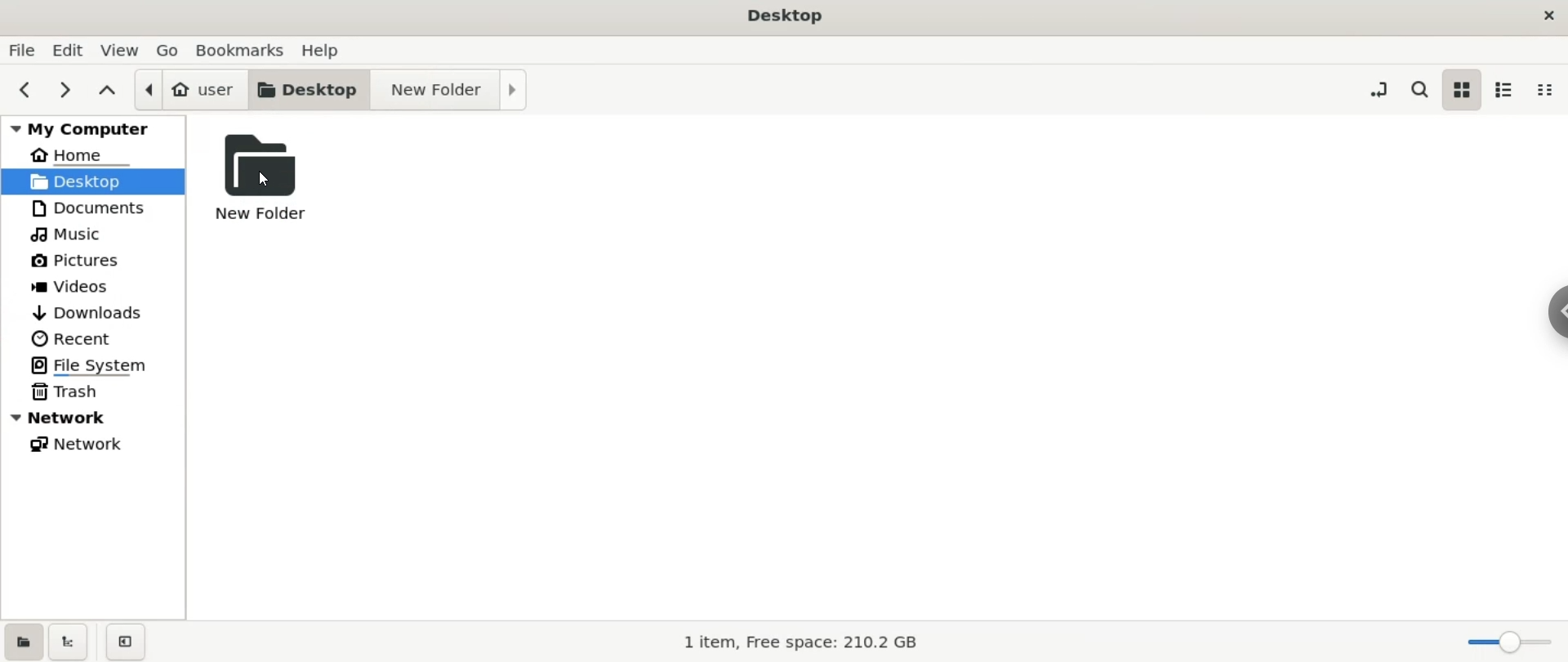 This screenshot has width=1568, height=662. I want to click on help, so click(319, 50).